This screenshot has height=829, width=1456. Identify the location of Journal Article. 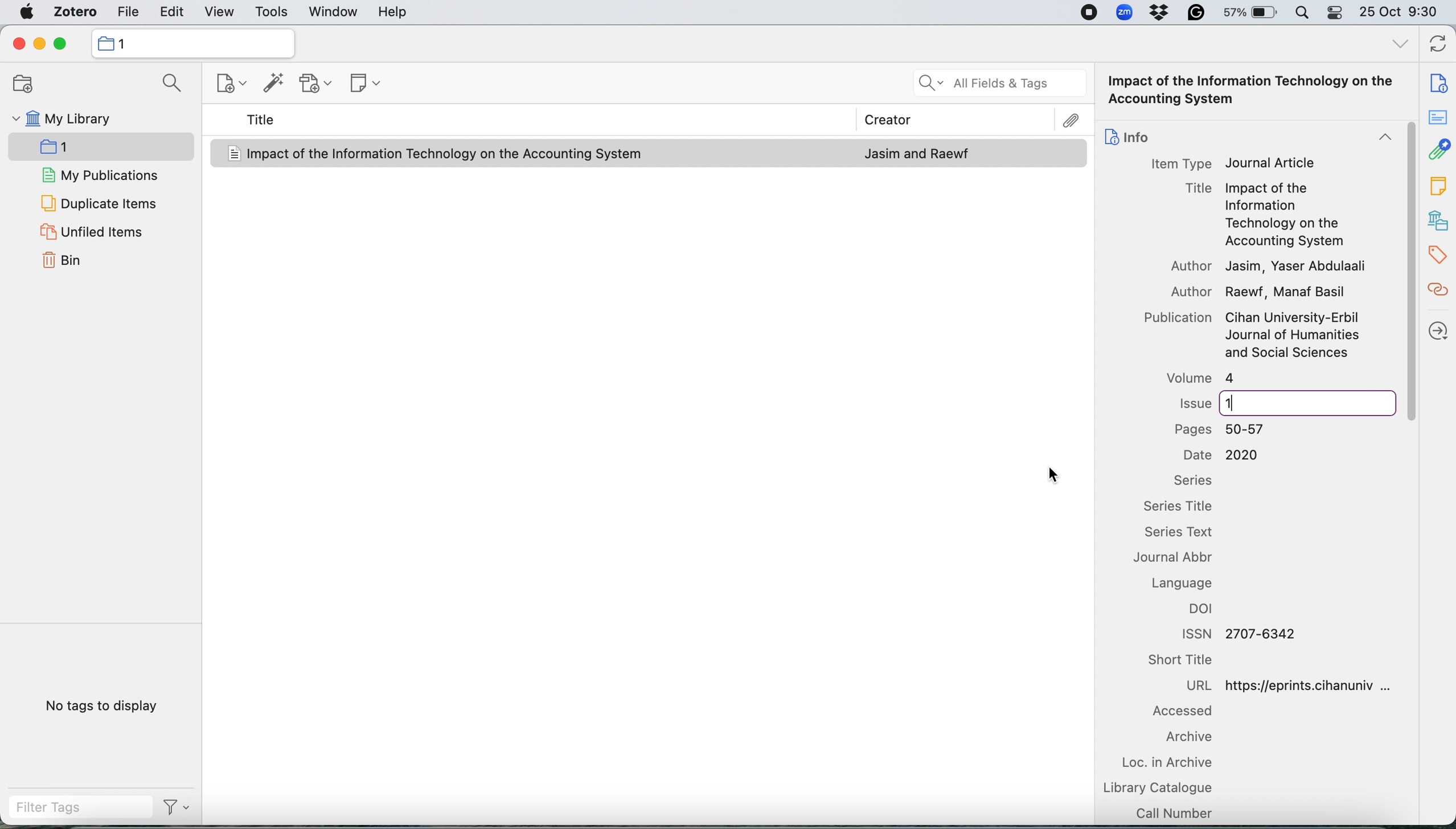
(1271, 163).